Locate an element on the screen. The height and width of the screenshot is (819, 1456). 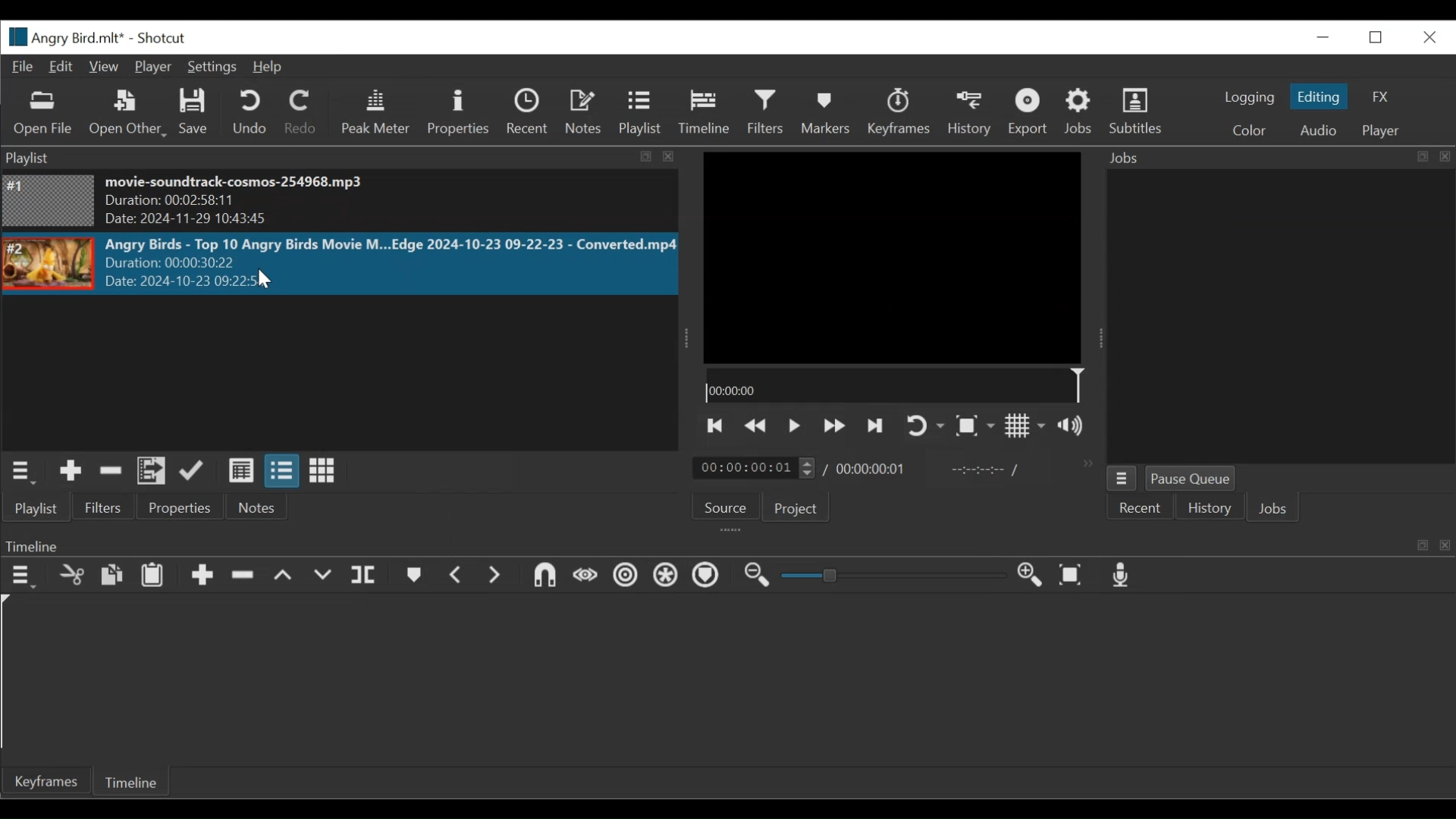
Markers is located at coordinates (826, 112).